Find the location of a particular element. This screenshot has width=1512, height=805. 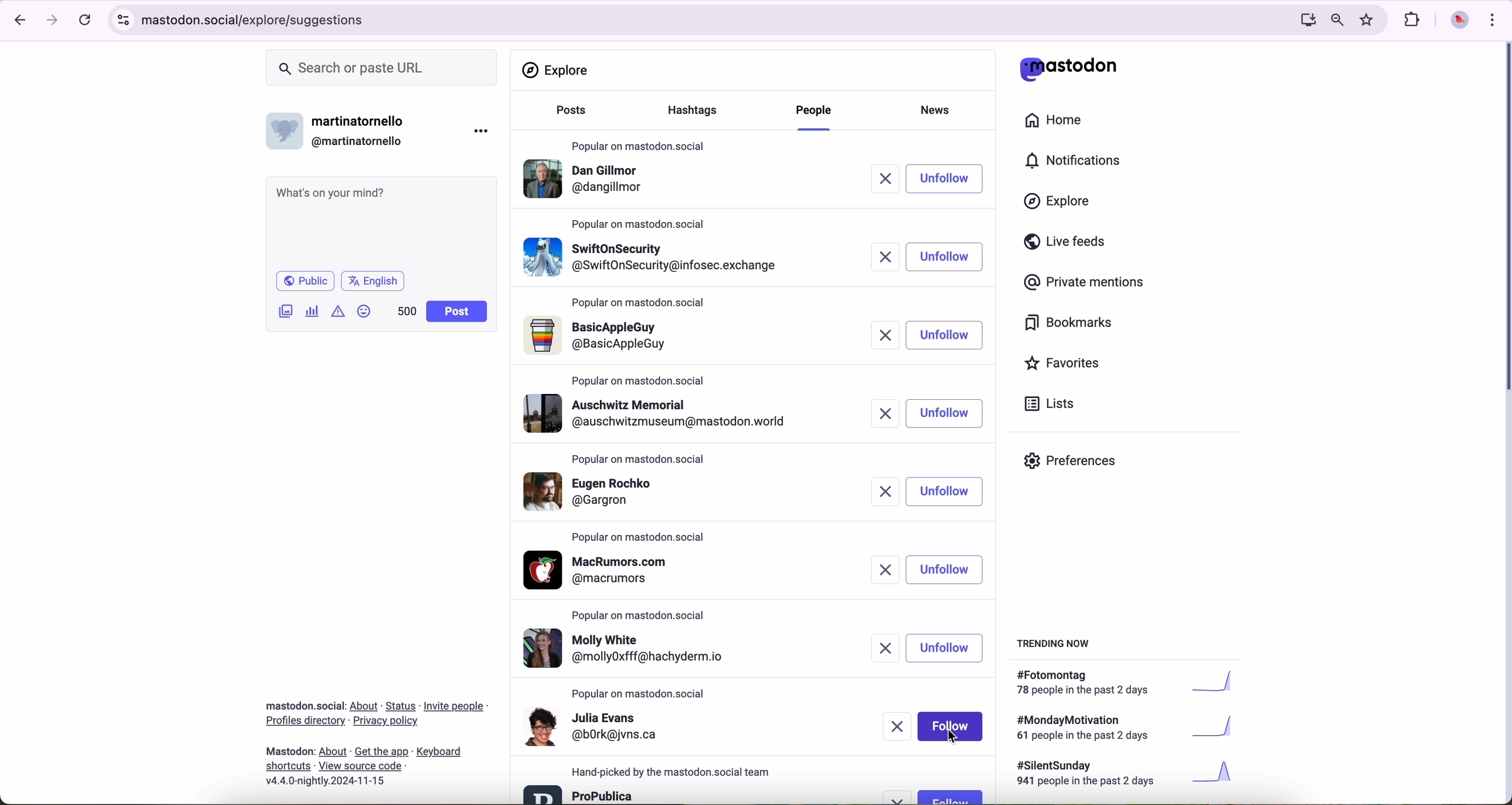

profile is located at coordinates (635, 649).